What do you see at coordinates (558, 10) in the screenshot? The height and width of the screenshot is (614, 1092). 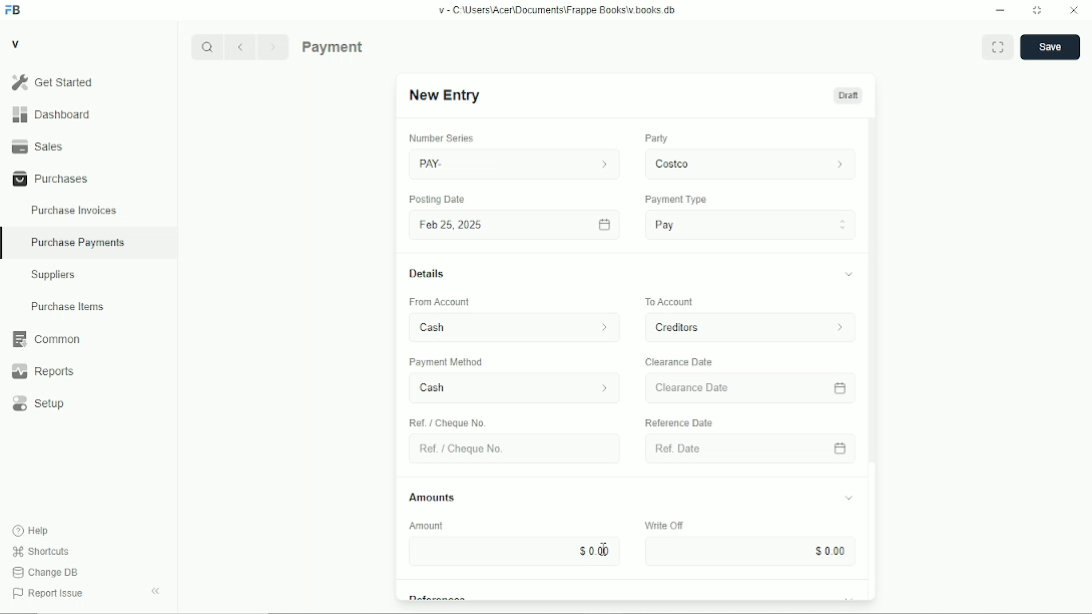 I see `v= C Wsers\Acen\Documents\Frappe Books\v books db` at bounding box center [558, 10].